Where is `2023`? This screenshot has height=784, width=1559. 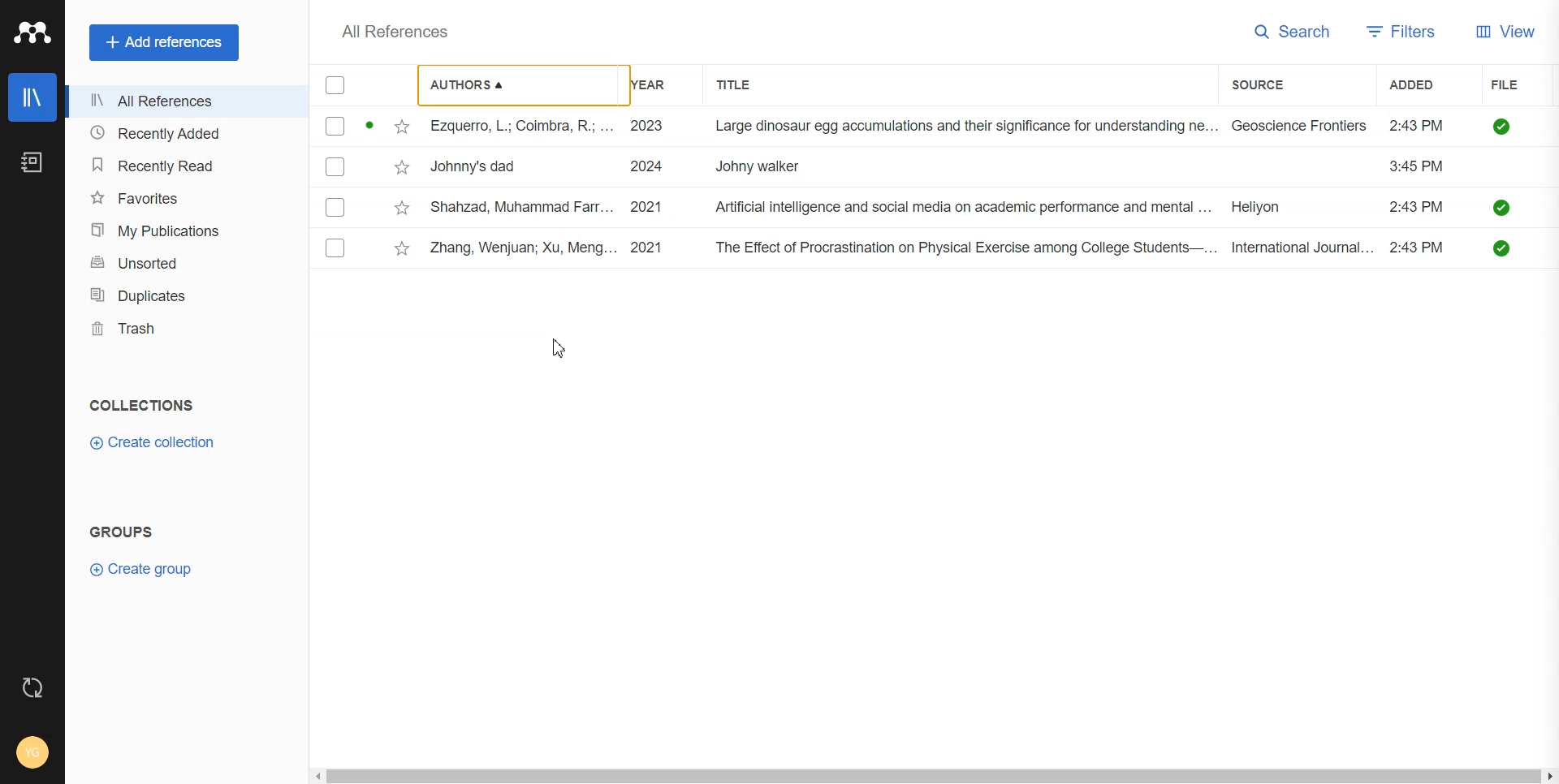
2023 is located at coordinates (645, 125).